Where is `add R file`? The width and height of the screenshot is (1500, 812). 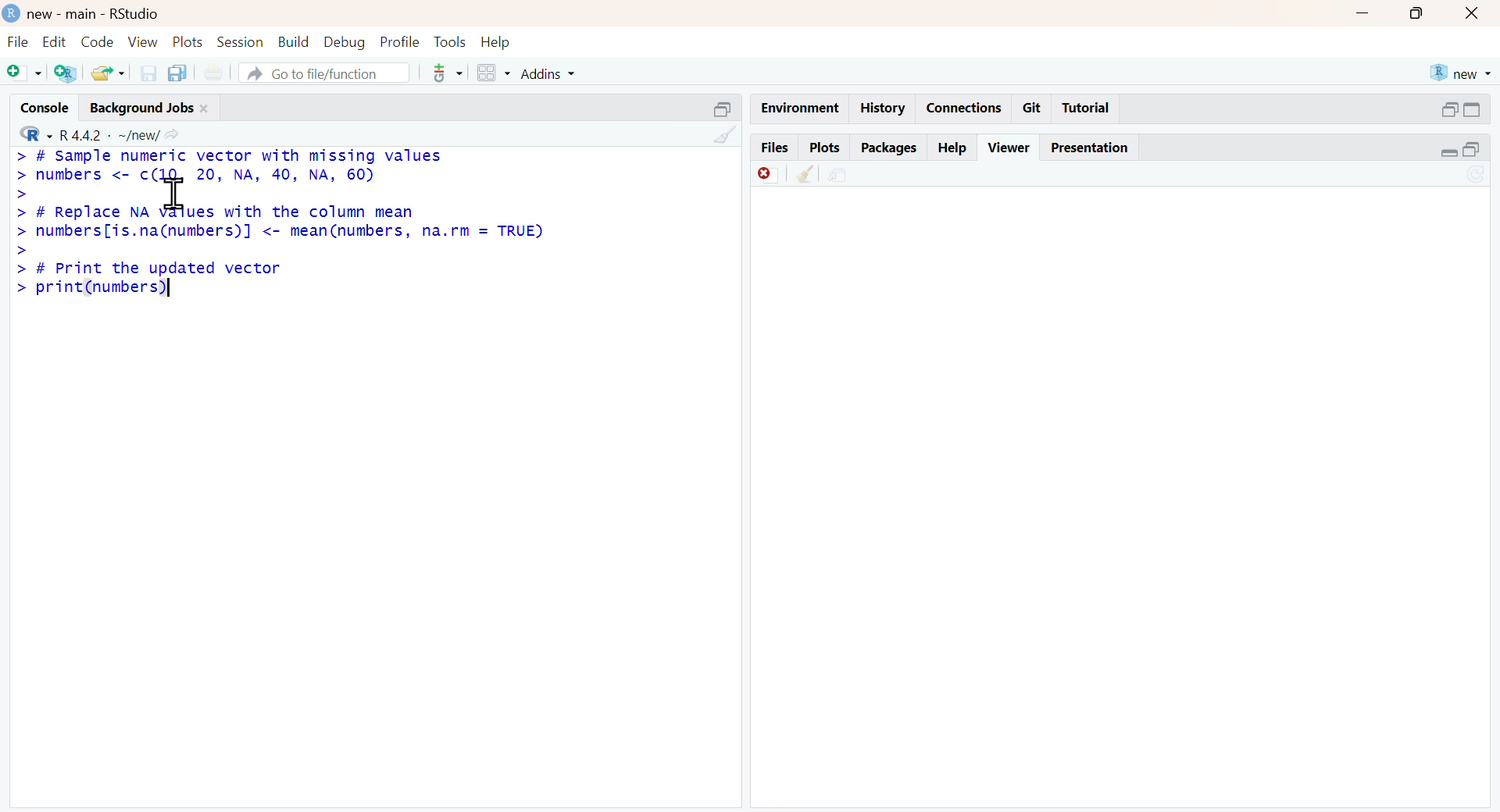
add R file is located at coordinates (66, 74).